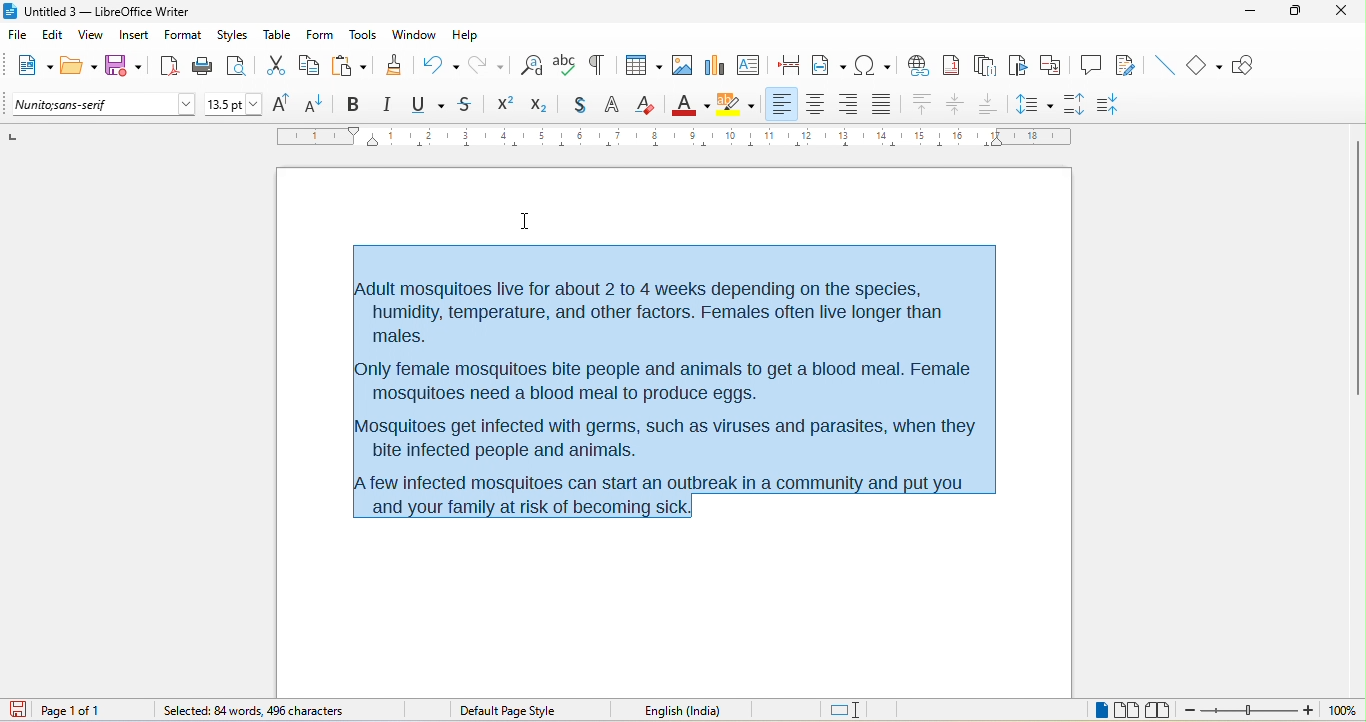 Image resolution: width=1366 pixels, height=722 pixels. I want to click on bookmark, so click(1020, 66).